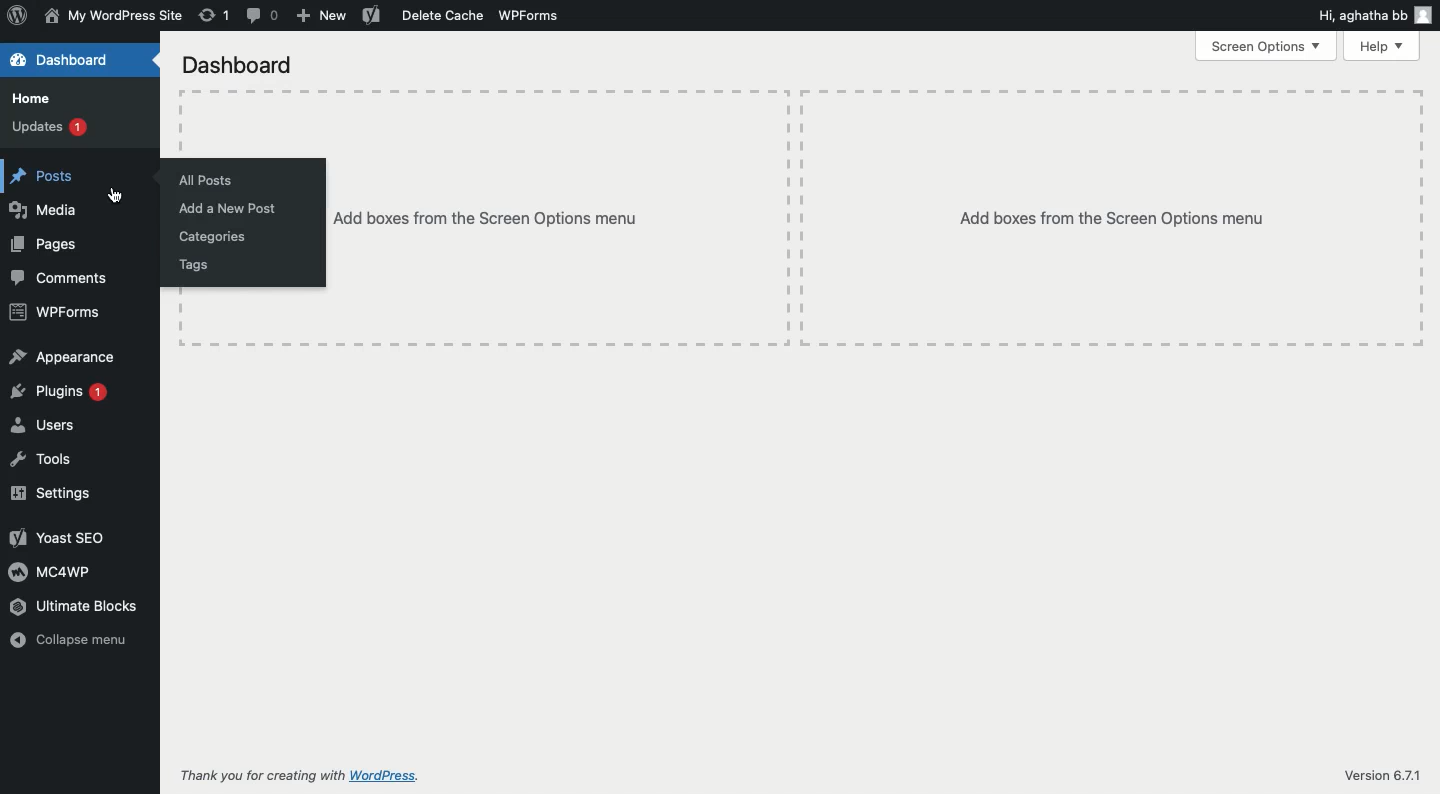  Describe the element at coordinates (74, 606) in the screenshot. I see `Ultimate blocks` at that location.